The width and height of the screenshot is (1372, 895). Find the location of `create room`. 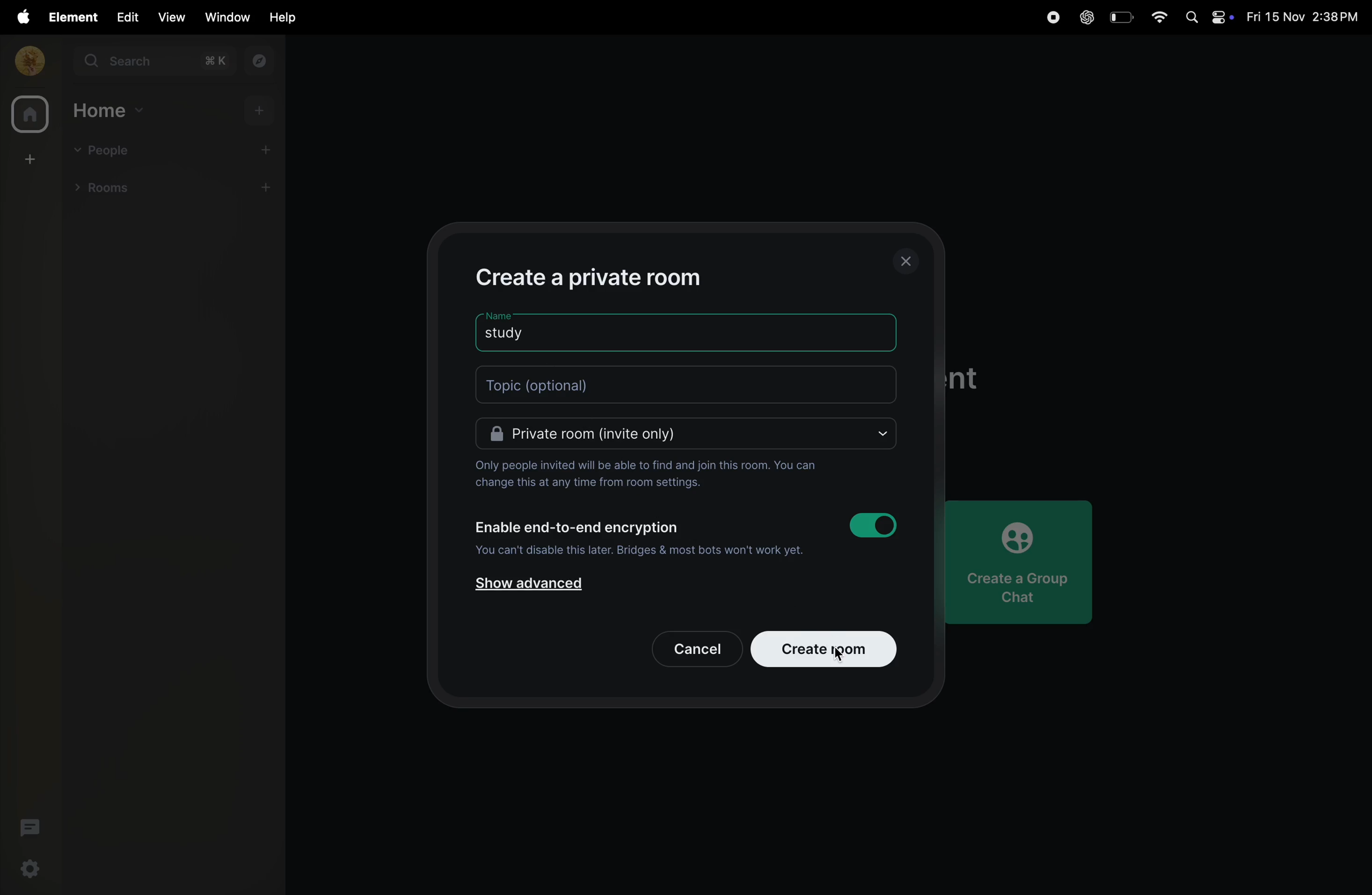

create room is located at coordinates (824, 651).